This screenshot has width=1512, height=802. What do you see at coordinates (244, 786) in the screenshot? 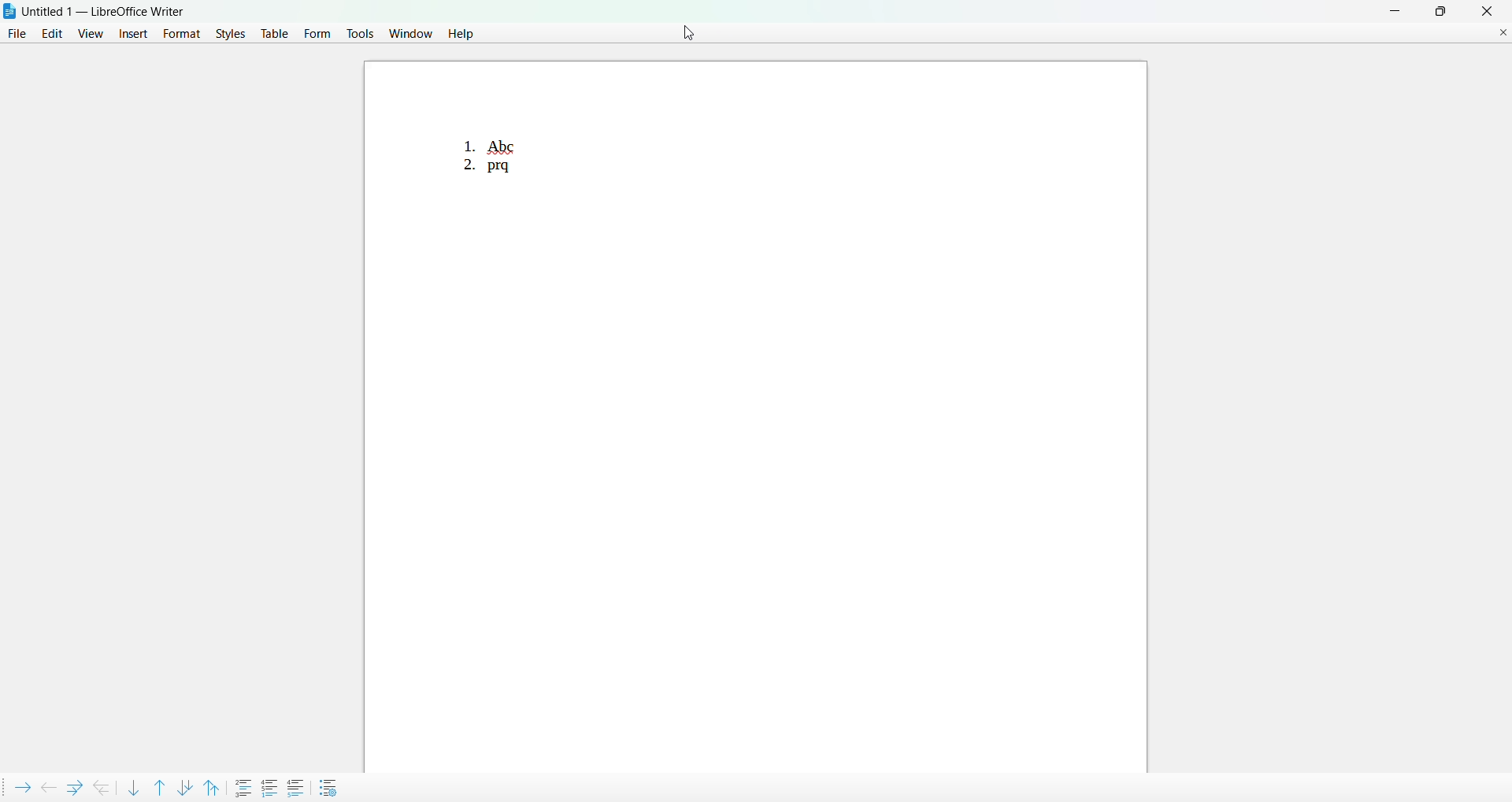
I see `insert unnumbered entry` at bounding box center [244, 786].